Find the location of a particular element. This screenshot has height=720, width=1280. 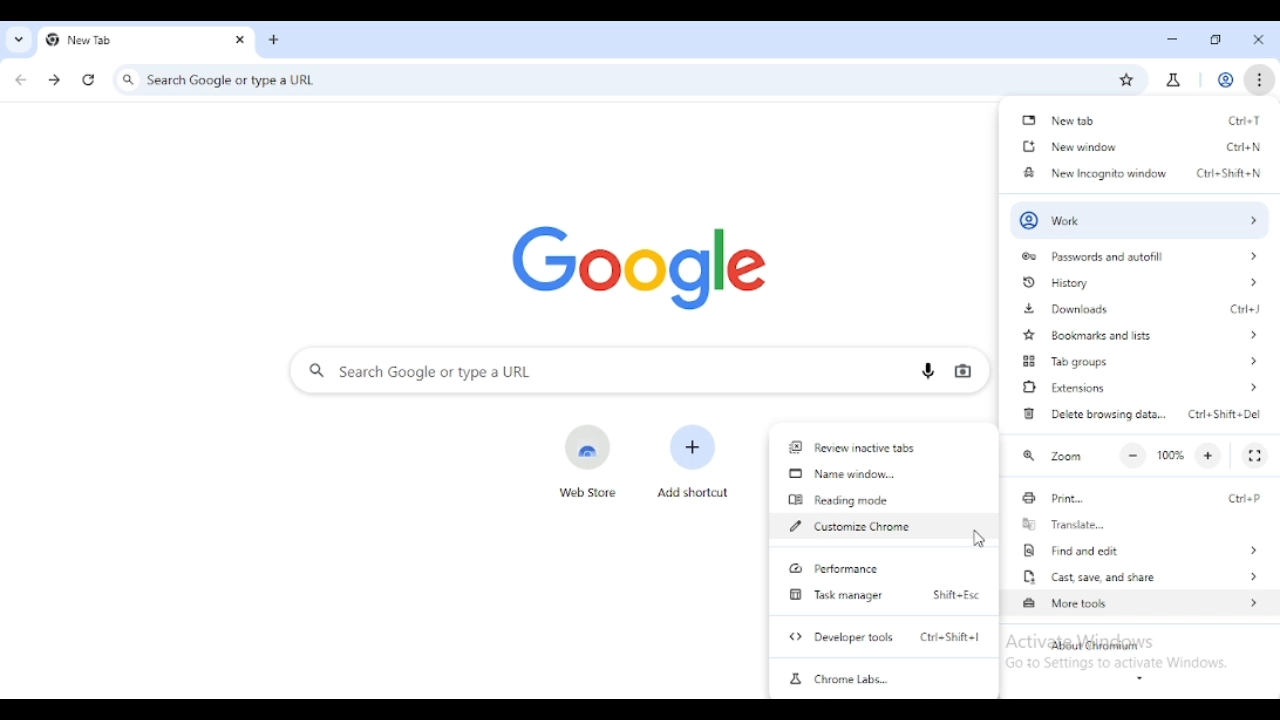

downloads is located at coordinates (1066, 309).